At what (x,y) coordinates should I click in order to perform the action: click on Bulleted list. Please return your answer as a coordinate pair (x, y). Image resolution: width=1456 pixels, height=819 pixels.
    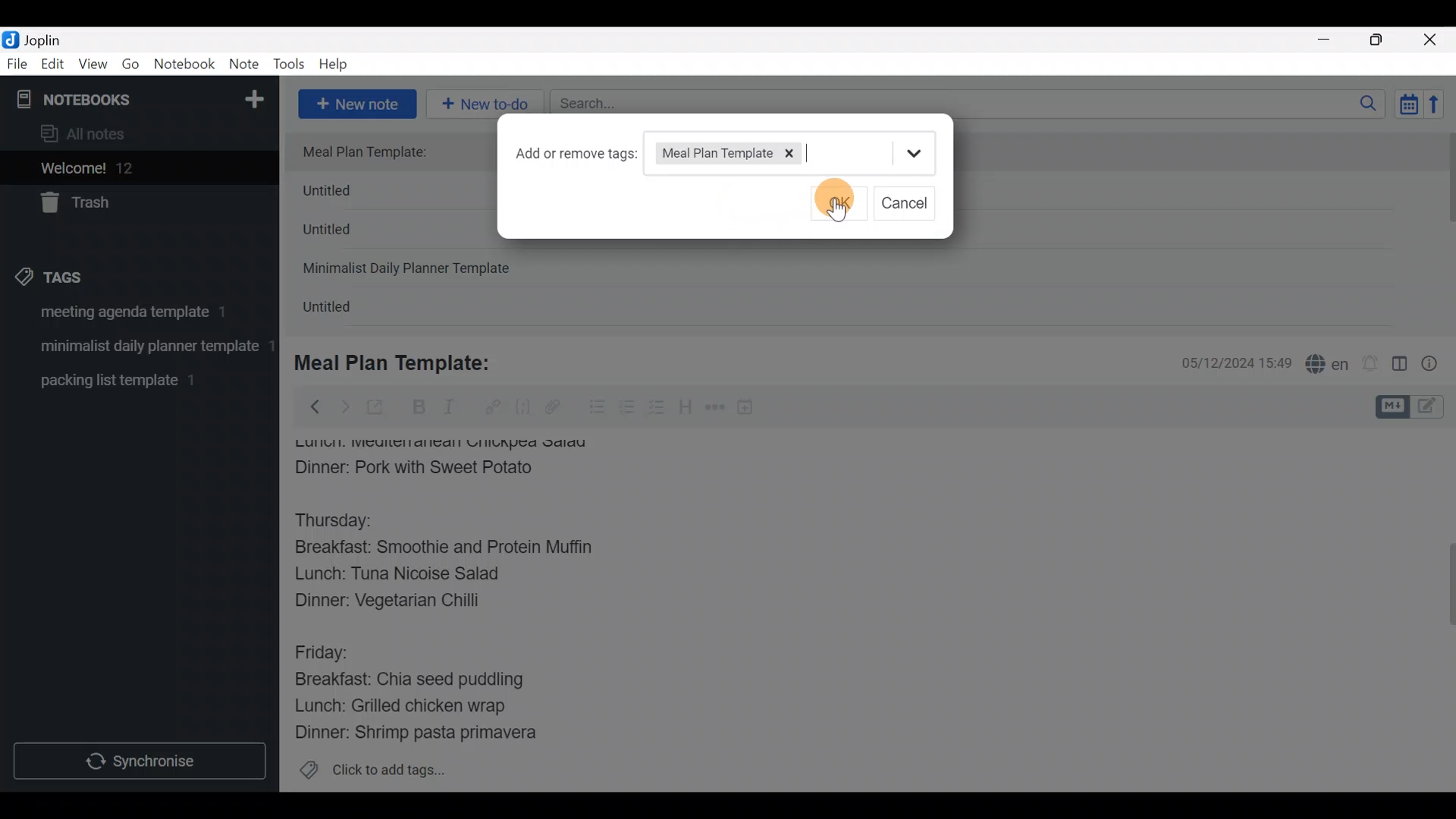
    Looking at the image, I should click on (594, 408).